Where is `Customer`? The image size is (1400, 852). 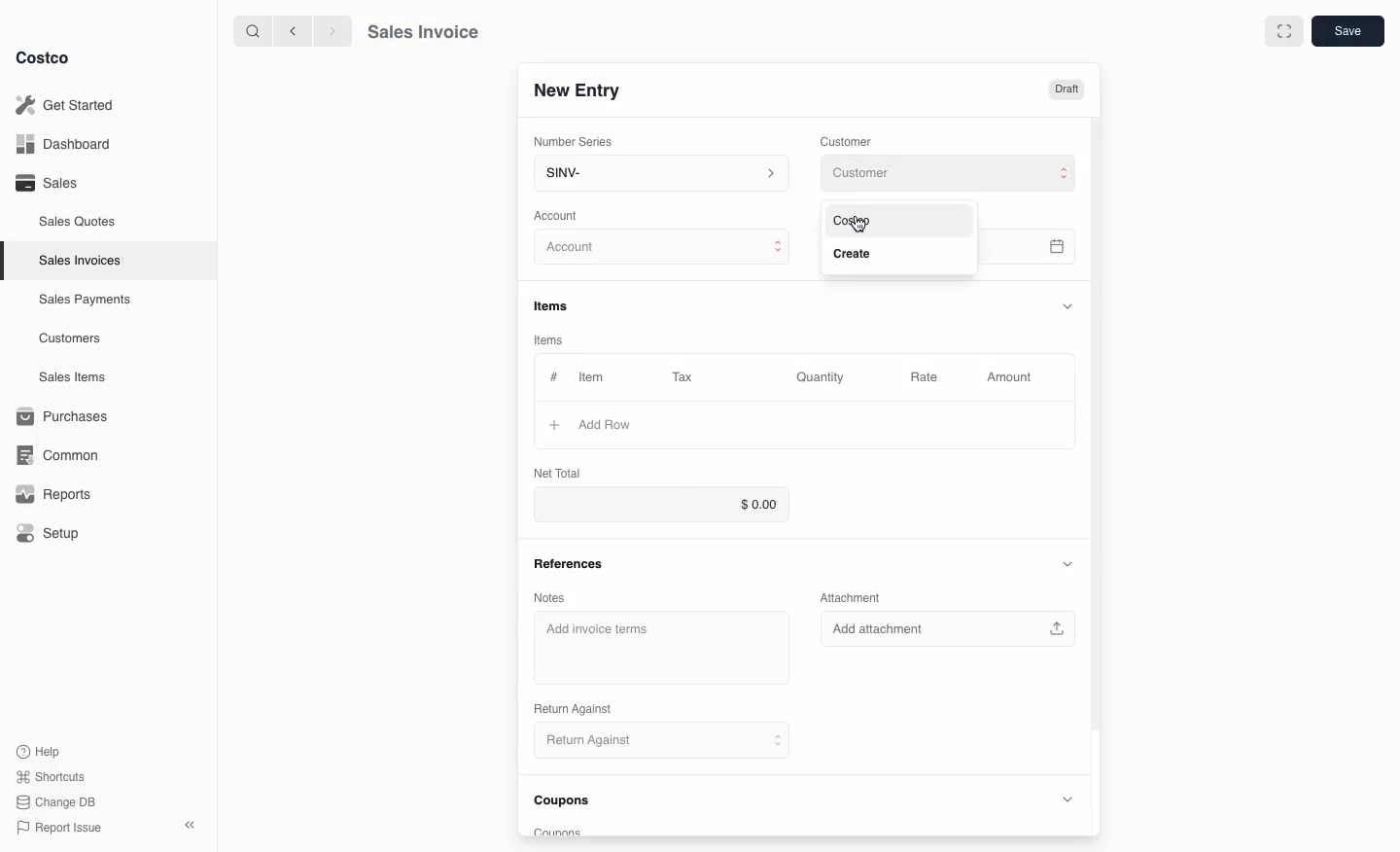 Customer is located at coordinates (951, 174).